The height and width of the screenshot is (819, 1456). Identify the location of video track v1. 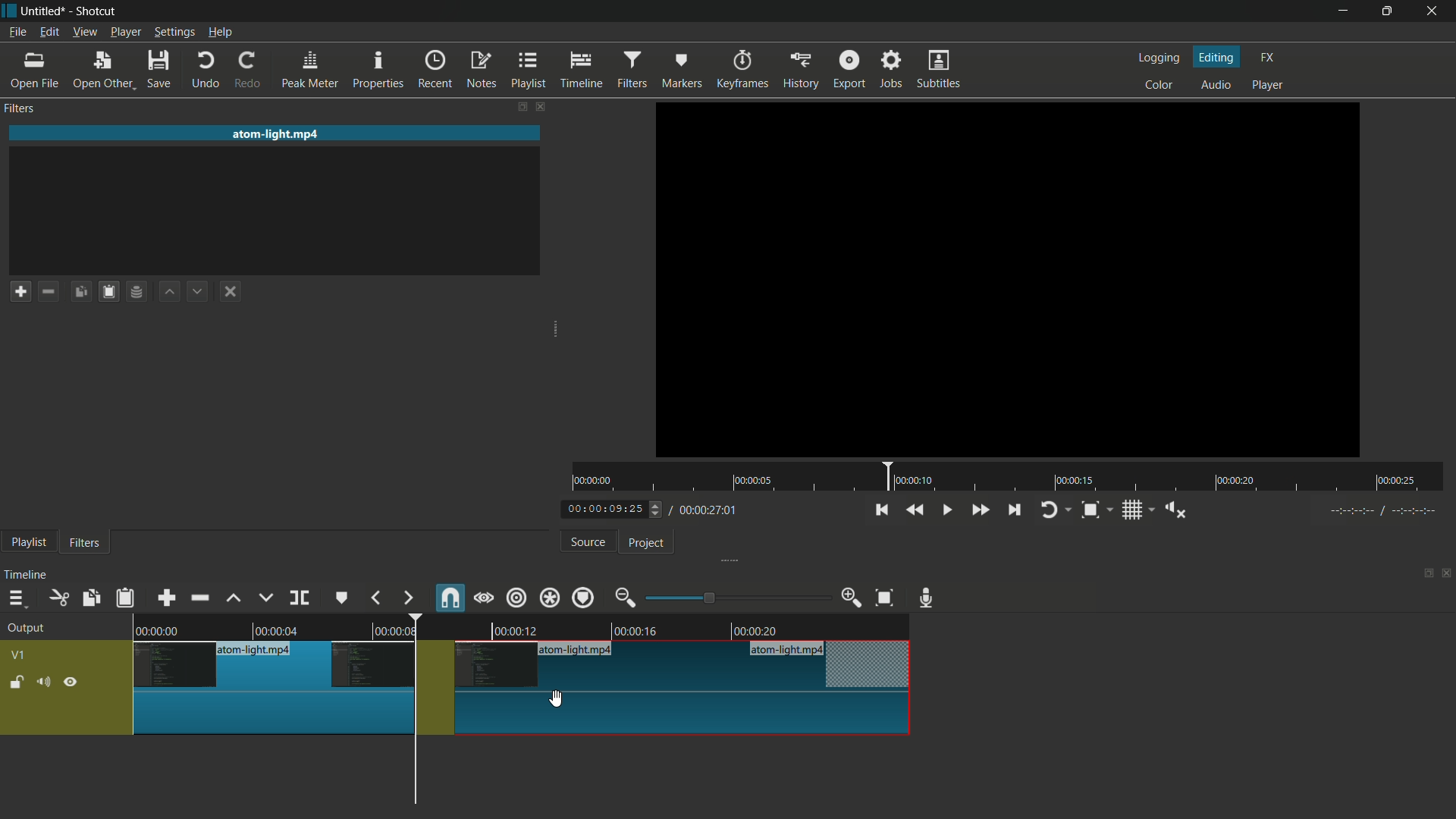
(521, 715).